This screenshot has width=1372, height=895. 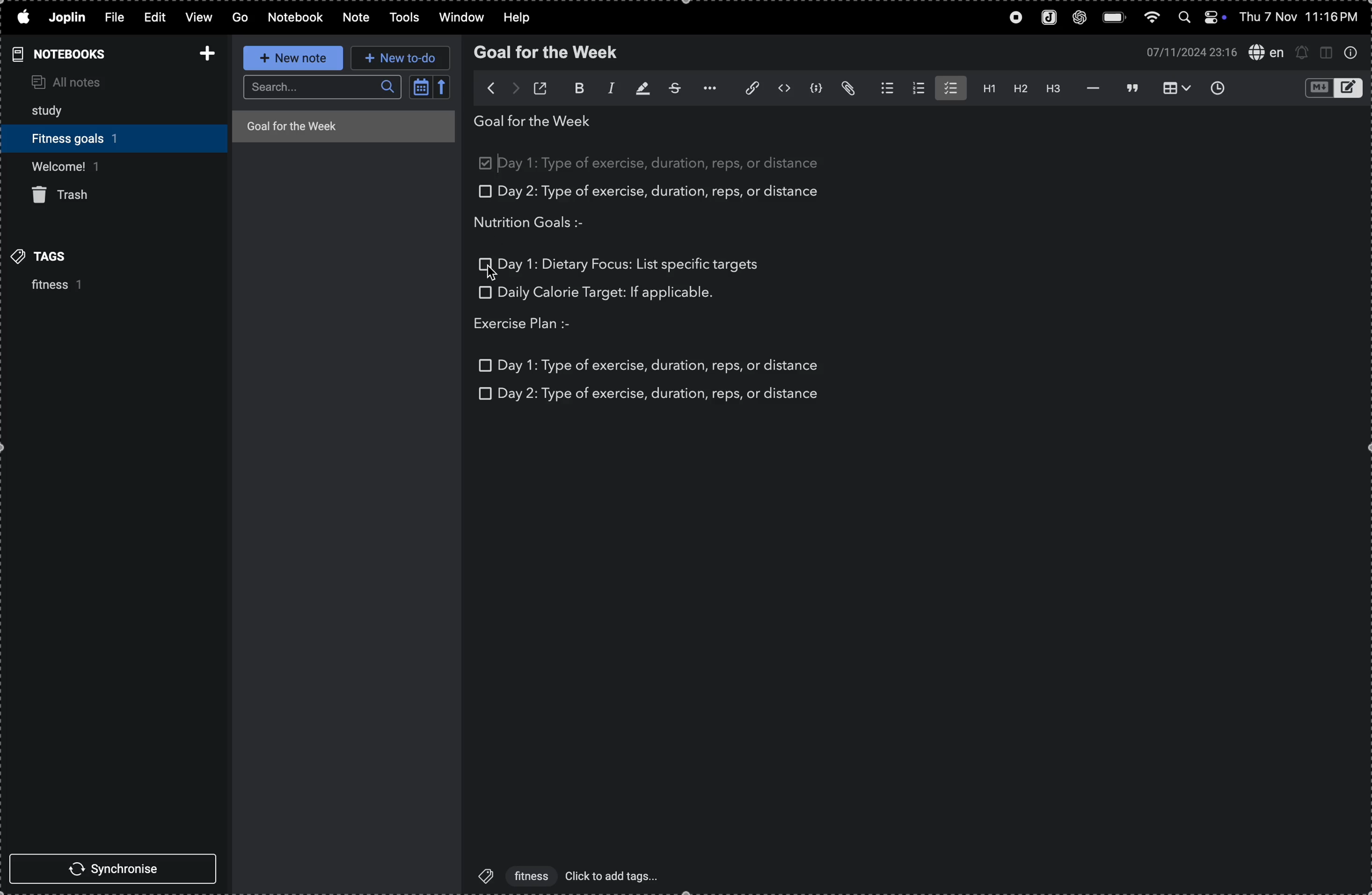 I want to click on thu 7 nov 11:16 pm, so click(x=1304, y=17).